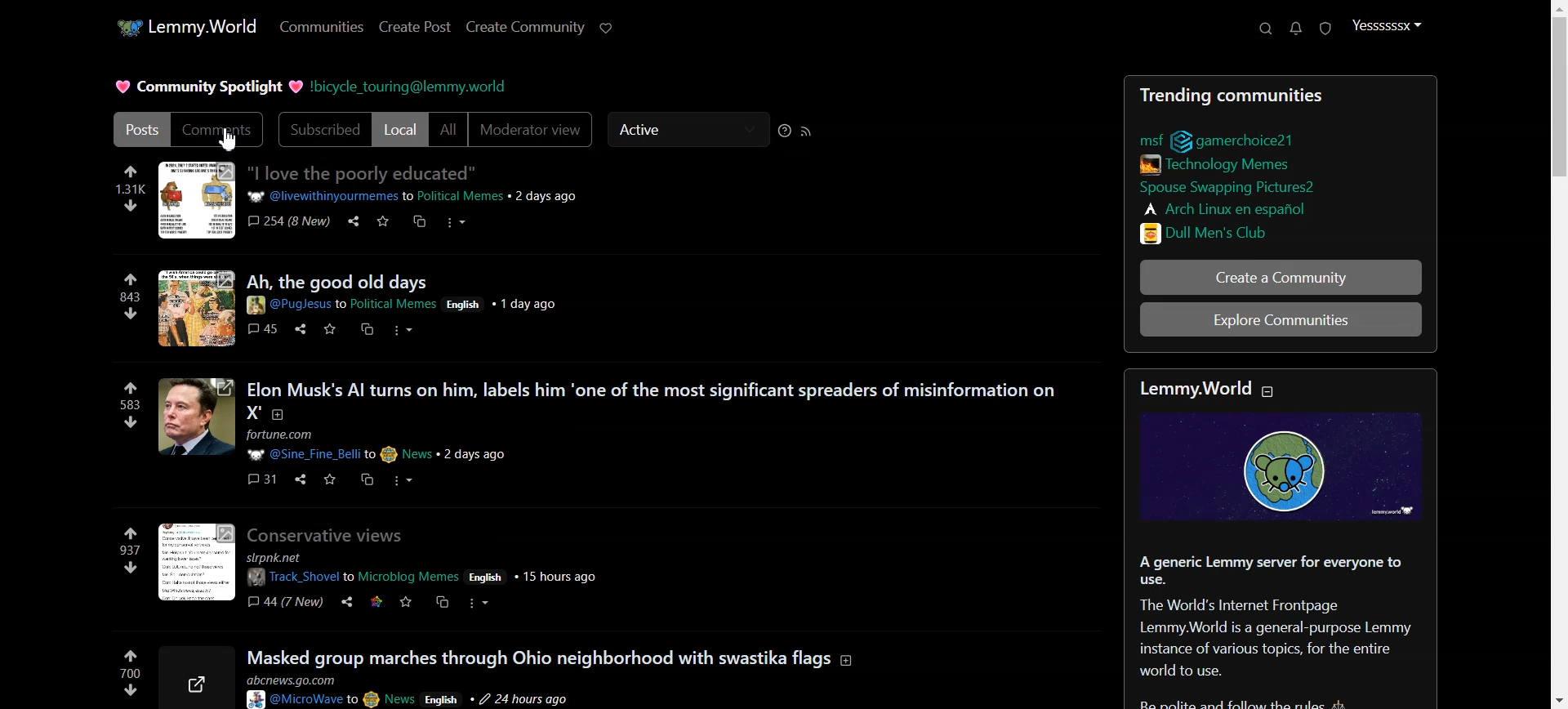  Describe the element at coordinates (285, 601) in the screenshot. I see `` at that location.